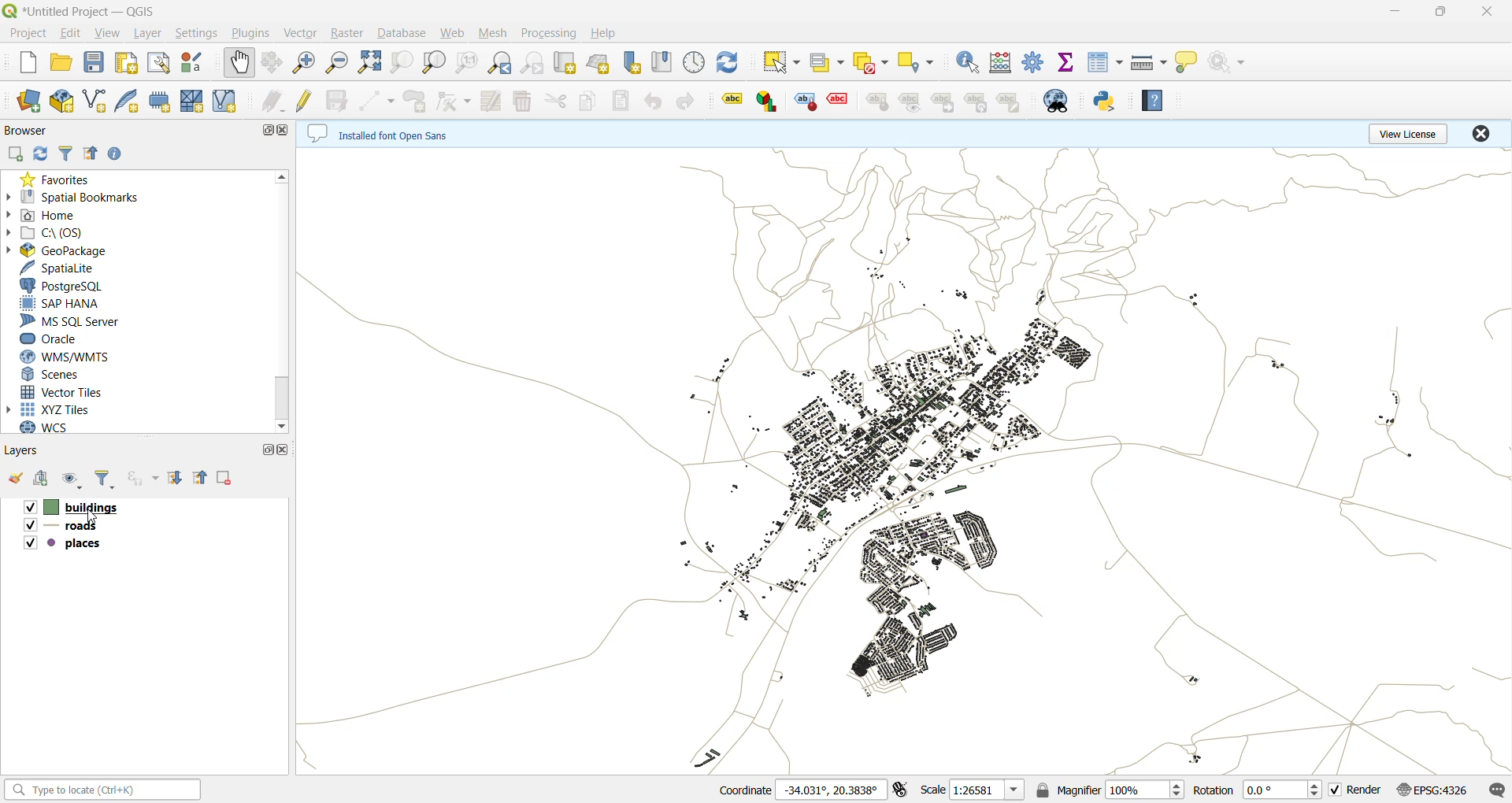 The image size is (1512, 803). Describe the element at coordinates (902, 462) in the screenshot. I see `map` at that location.